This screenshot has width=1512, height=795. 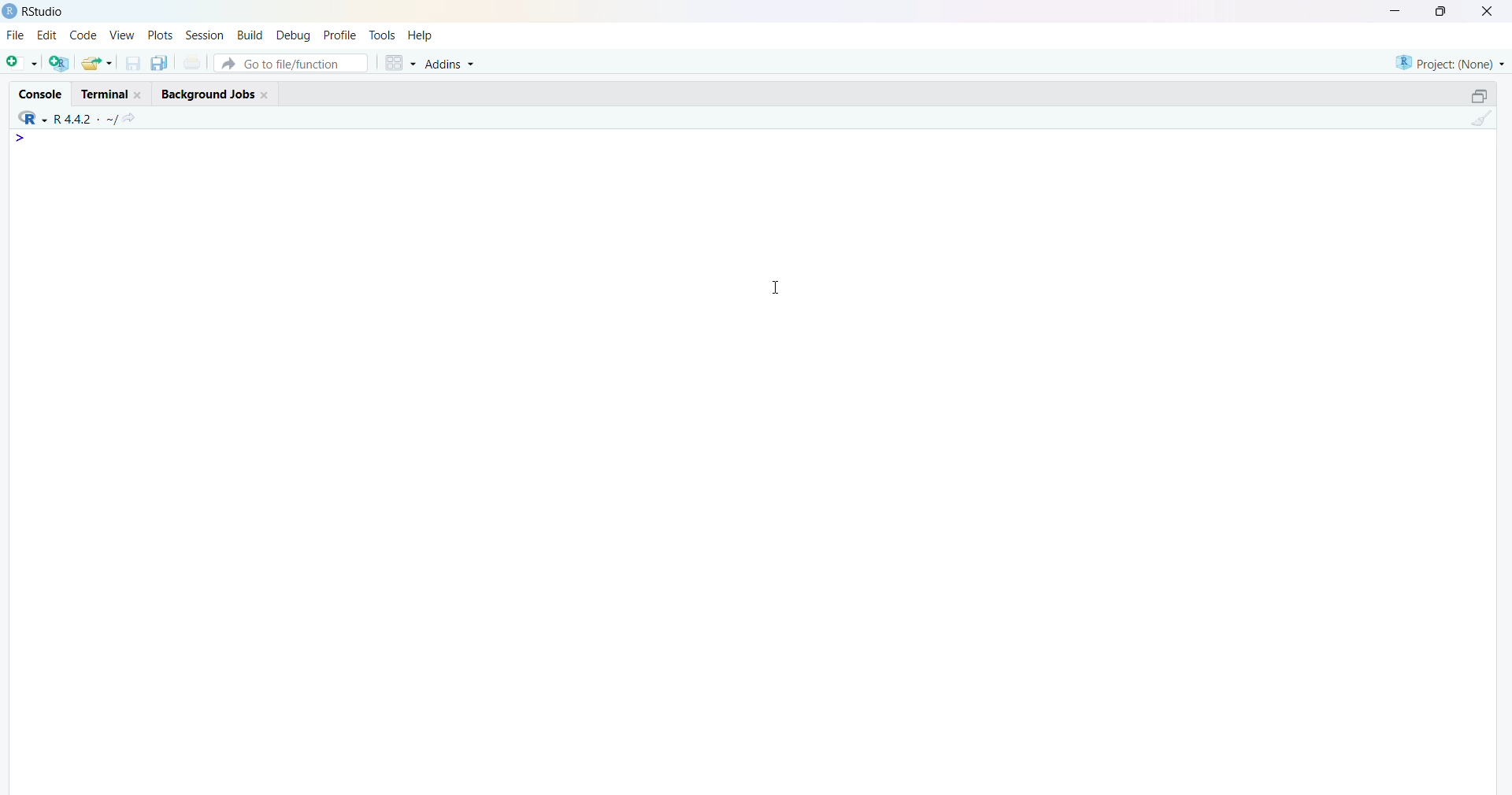 I want to click on share, so click(x=132, y=118).